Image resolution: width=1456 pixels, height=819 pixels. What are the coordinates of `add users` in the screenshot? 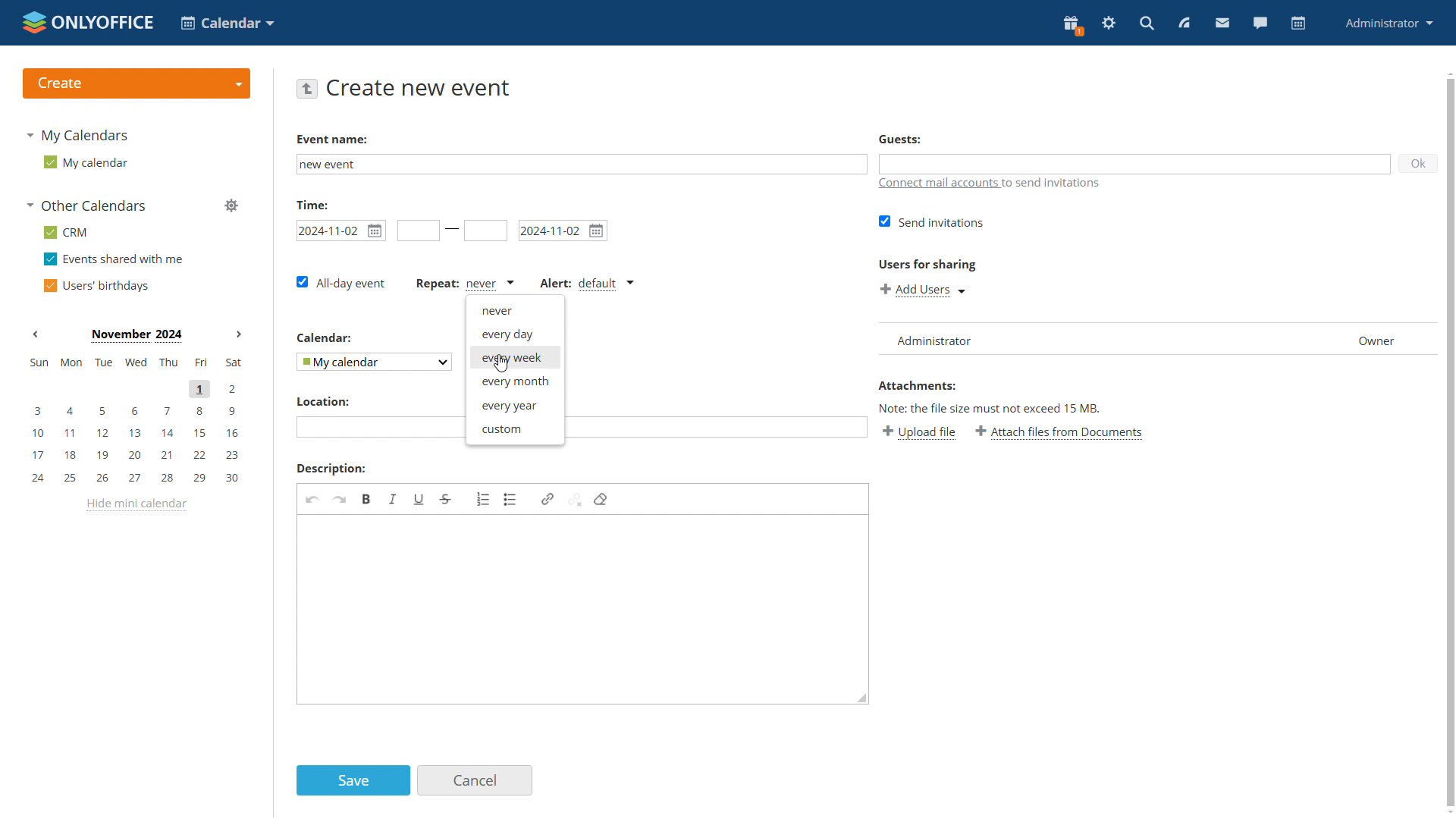 It's located at (922, 288).